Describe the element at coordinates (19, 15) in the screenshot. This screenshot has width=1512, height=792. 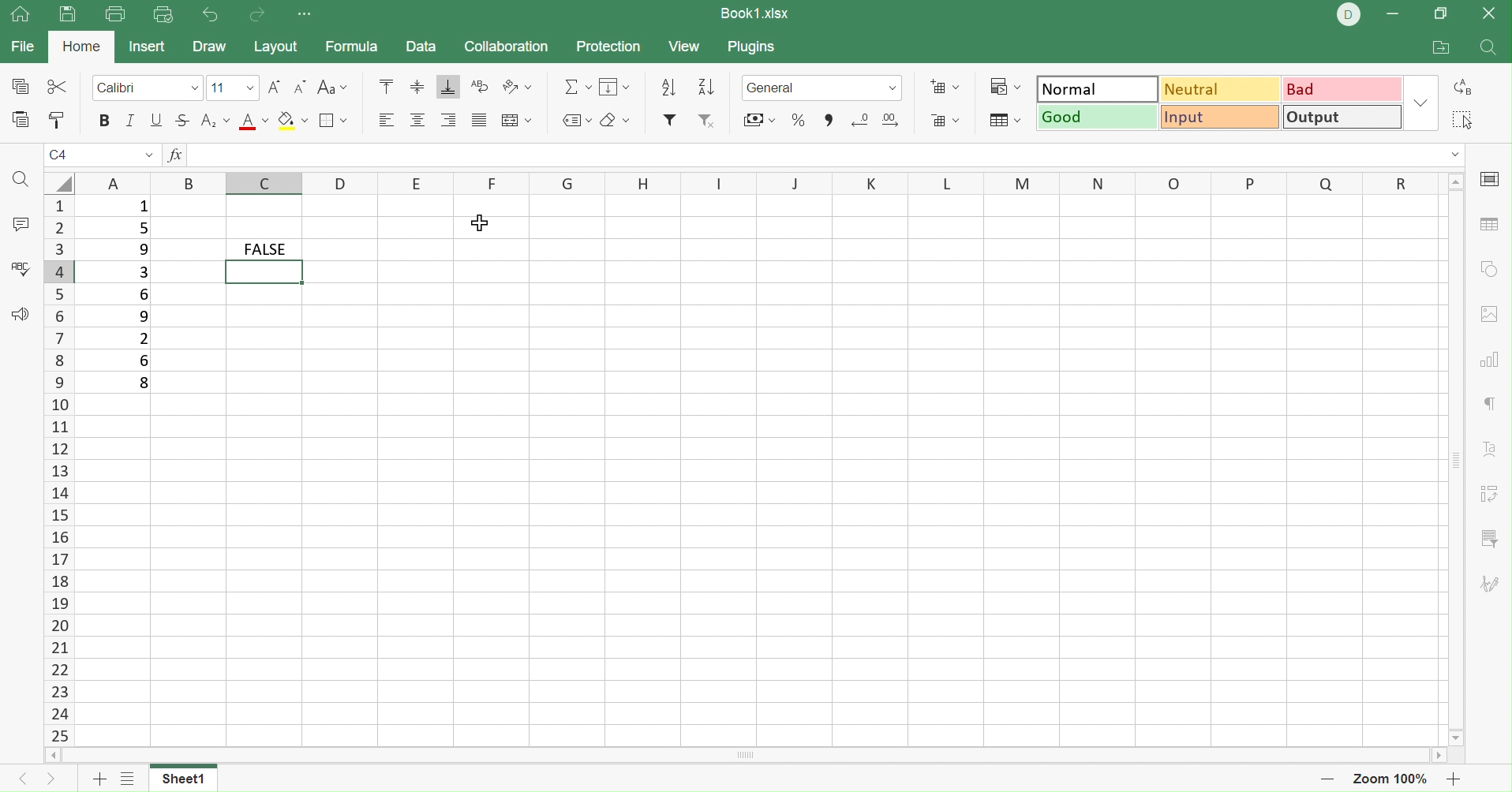
I see `Show main window` at that location.